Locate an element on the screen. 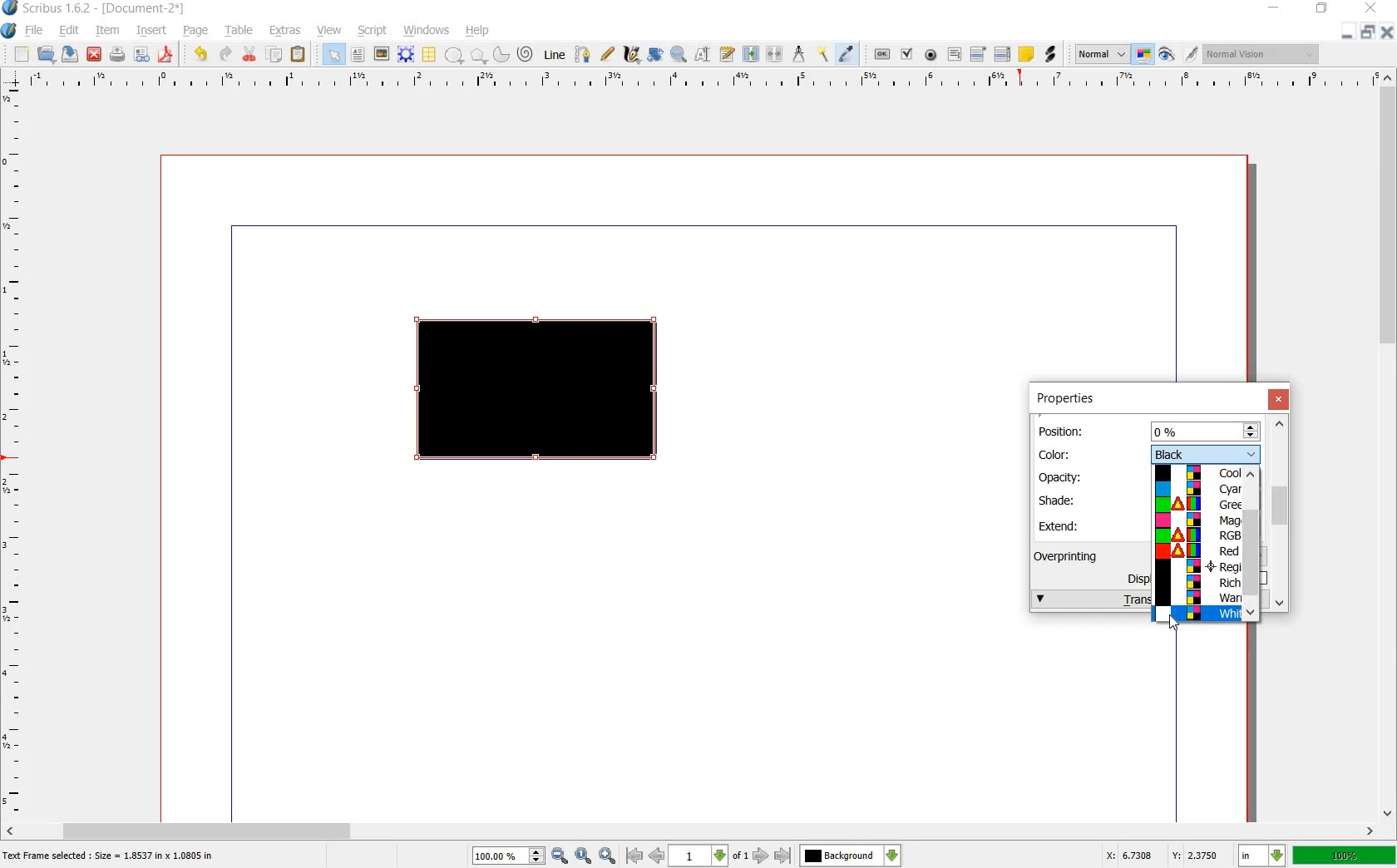 The image size is (1397, 868). restore is located at coordinates (1322, 11).